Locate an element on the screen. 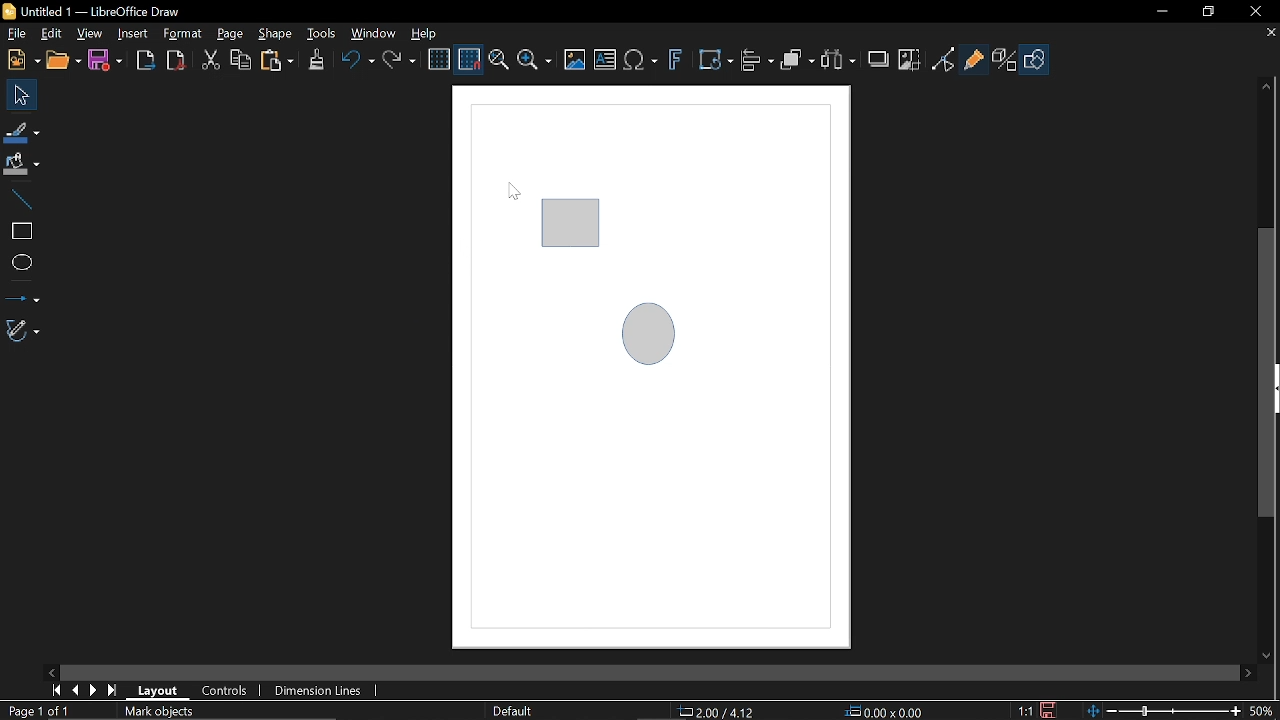 The height and width of the screenshot is (720, 1280). Line color is located at coordinates (22, 129).